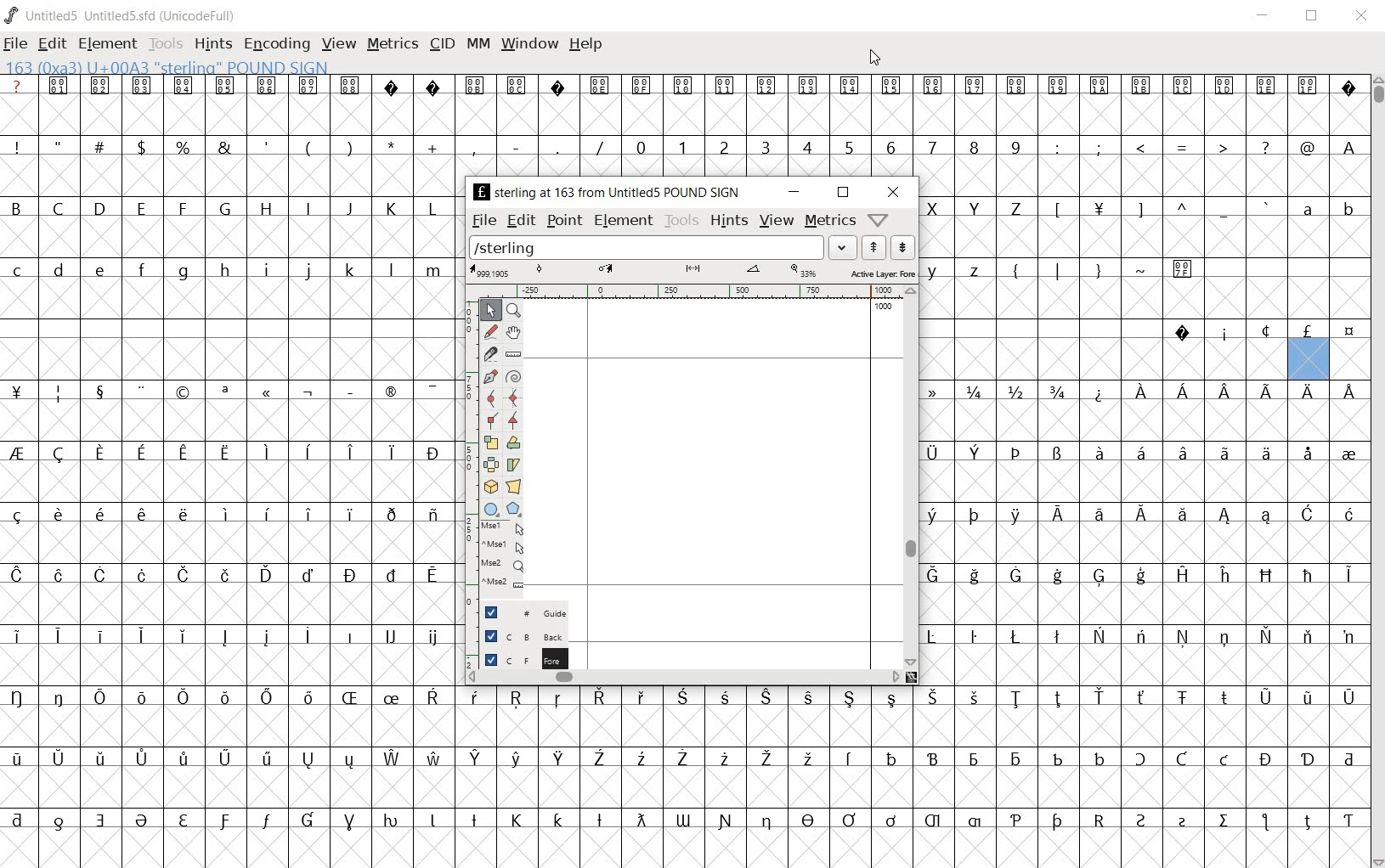 The image size is (1385, 868). What do you see at coordinates (393, 145) in the screenshot?
I see `*` at bounding box center [393, 145].